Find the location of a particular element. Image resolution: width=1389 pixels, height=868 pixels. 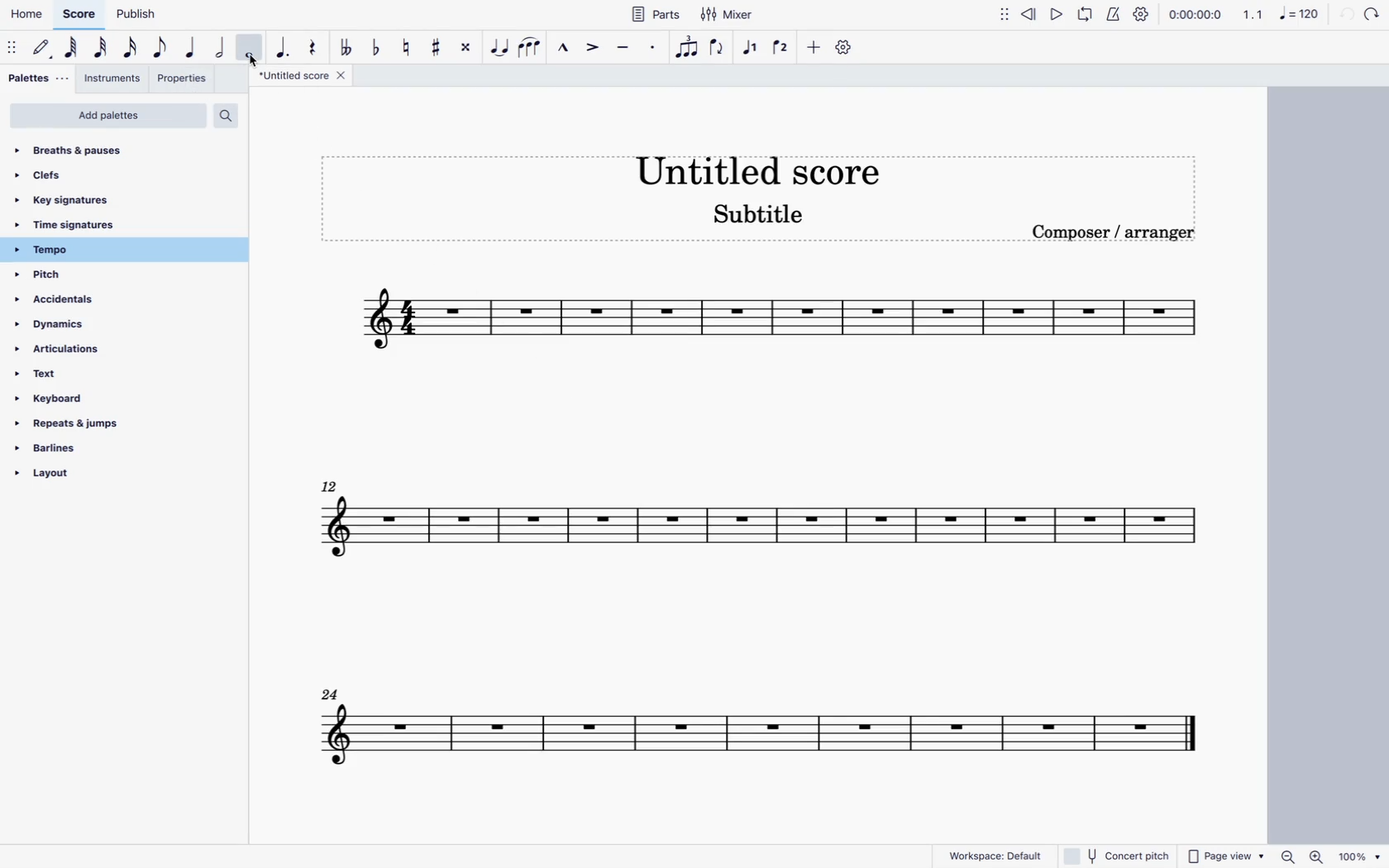

refresh is located at coordinates (1345, 15).